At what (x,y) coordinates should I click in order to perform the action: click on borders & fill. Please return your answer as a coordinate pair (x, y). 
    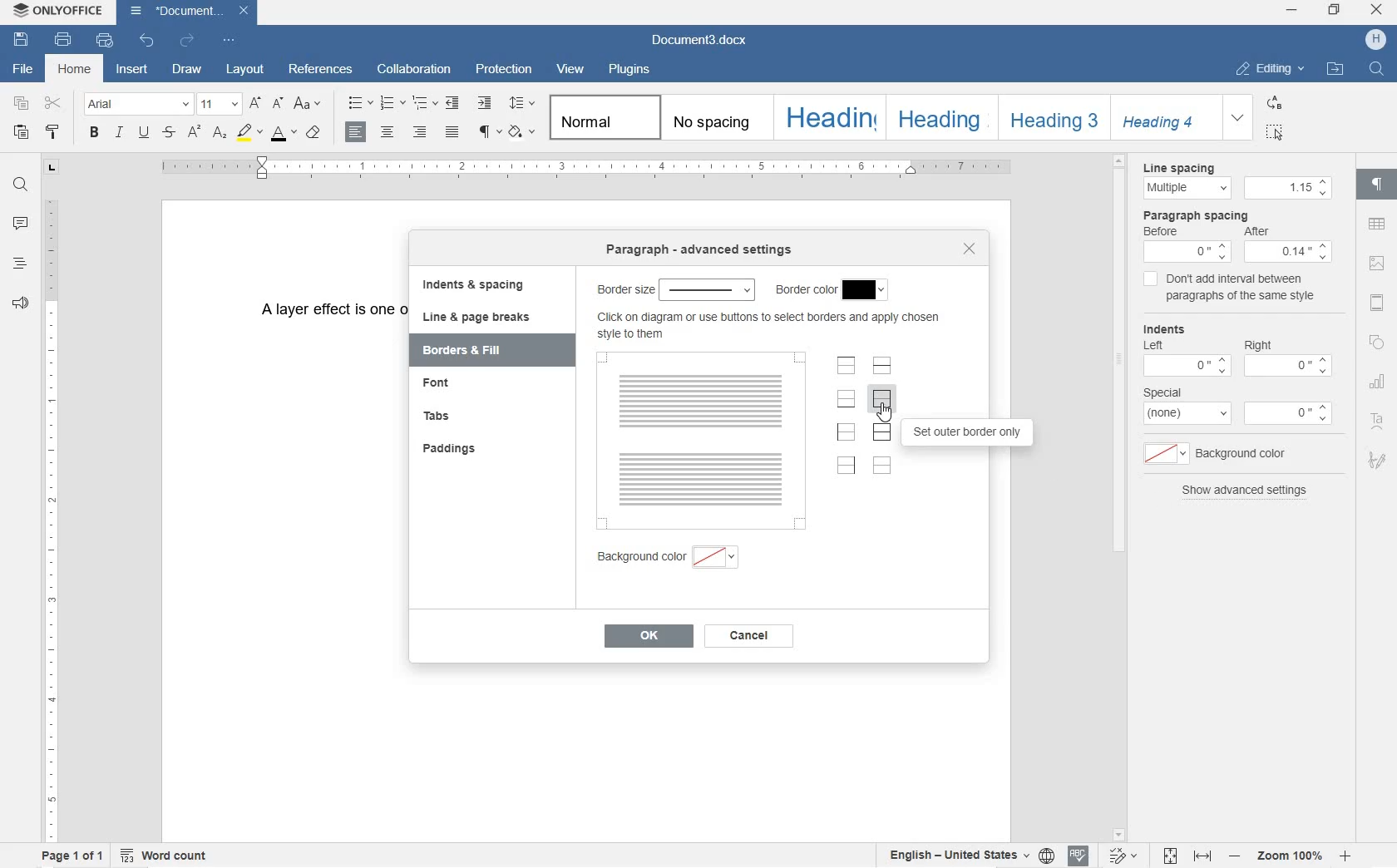
    Looking at the image, I should click on (485, 351).